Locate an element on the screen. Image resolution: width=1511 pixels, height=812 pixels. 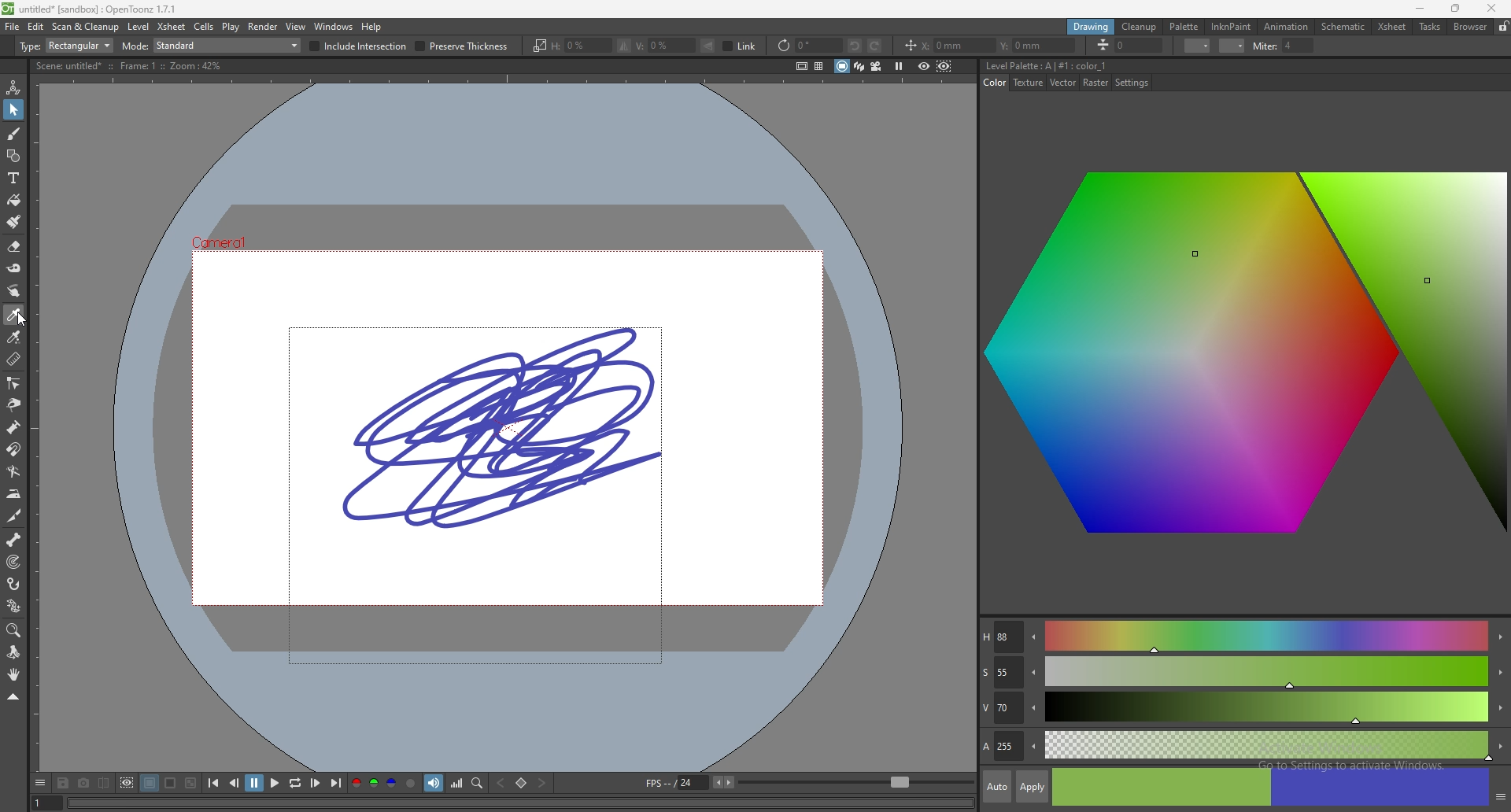
vector is located at coordinates (1065, 83).